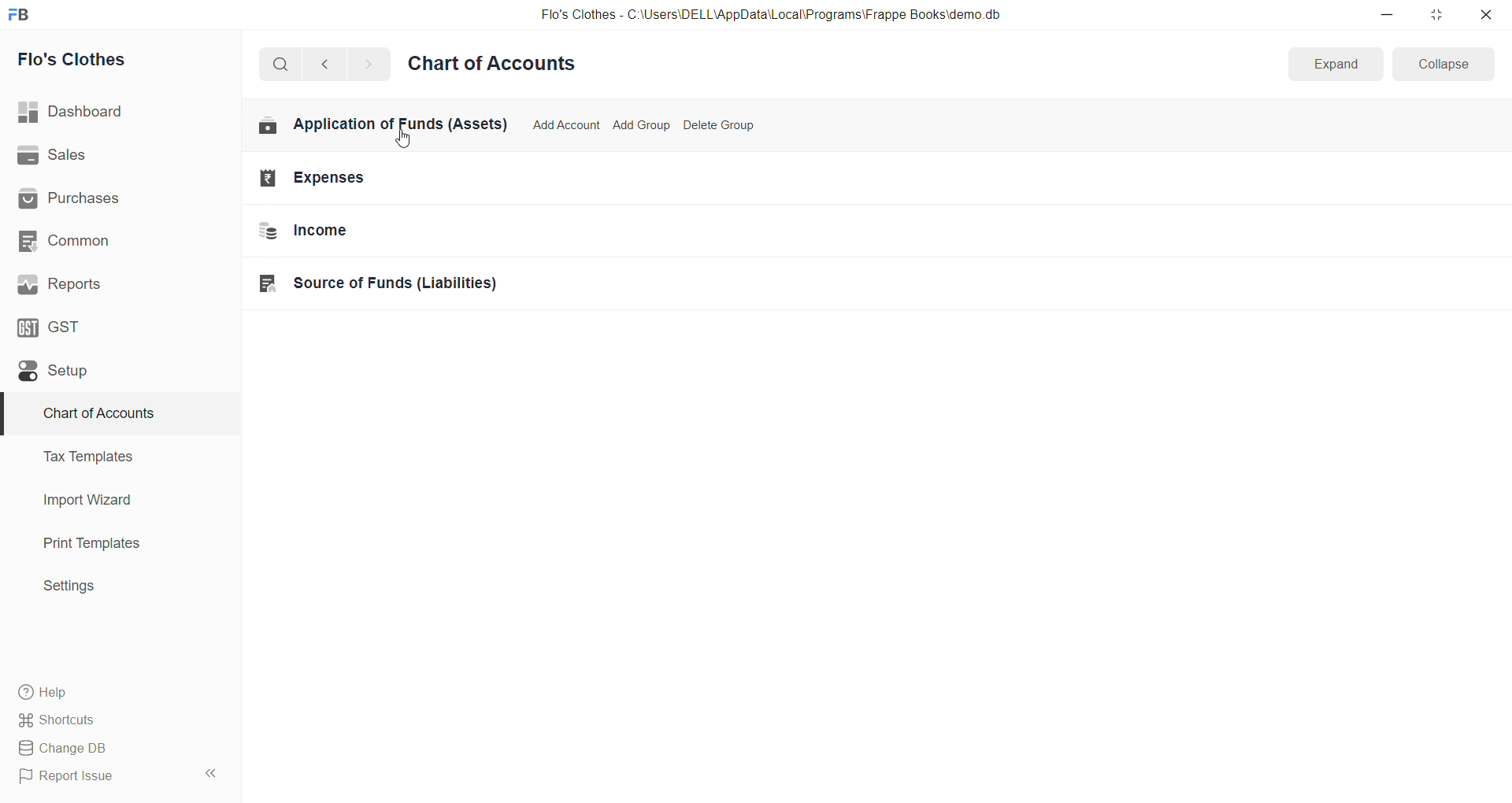 This screenshot has width=1512, height=803. I want to click on Report Issue, so click(98, 776).